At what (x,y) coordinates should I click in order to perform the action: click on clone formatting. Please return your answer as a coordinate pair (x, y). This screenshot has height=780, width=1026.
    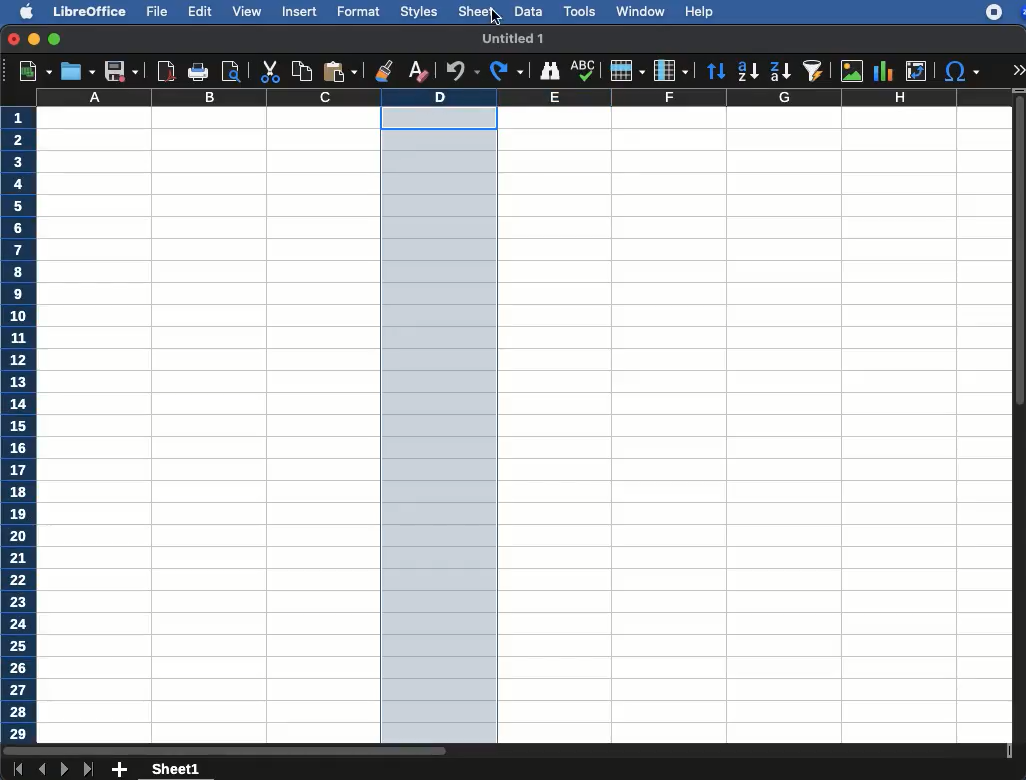
    Looking at the image, I should click on (383, 70).